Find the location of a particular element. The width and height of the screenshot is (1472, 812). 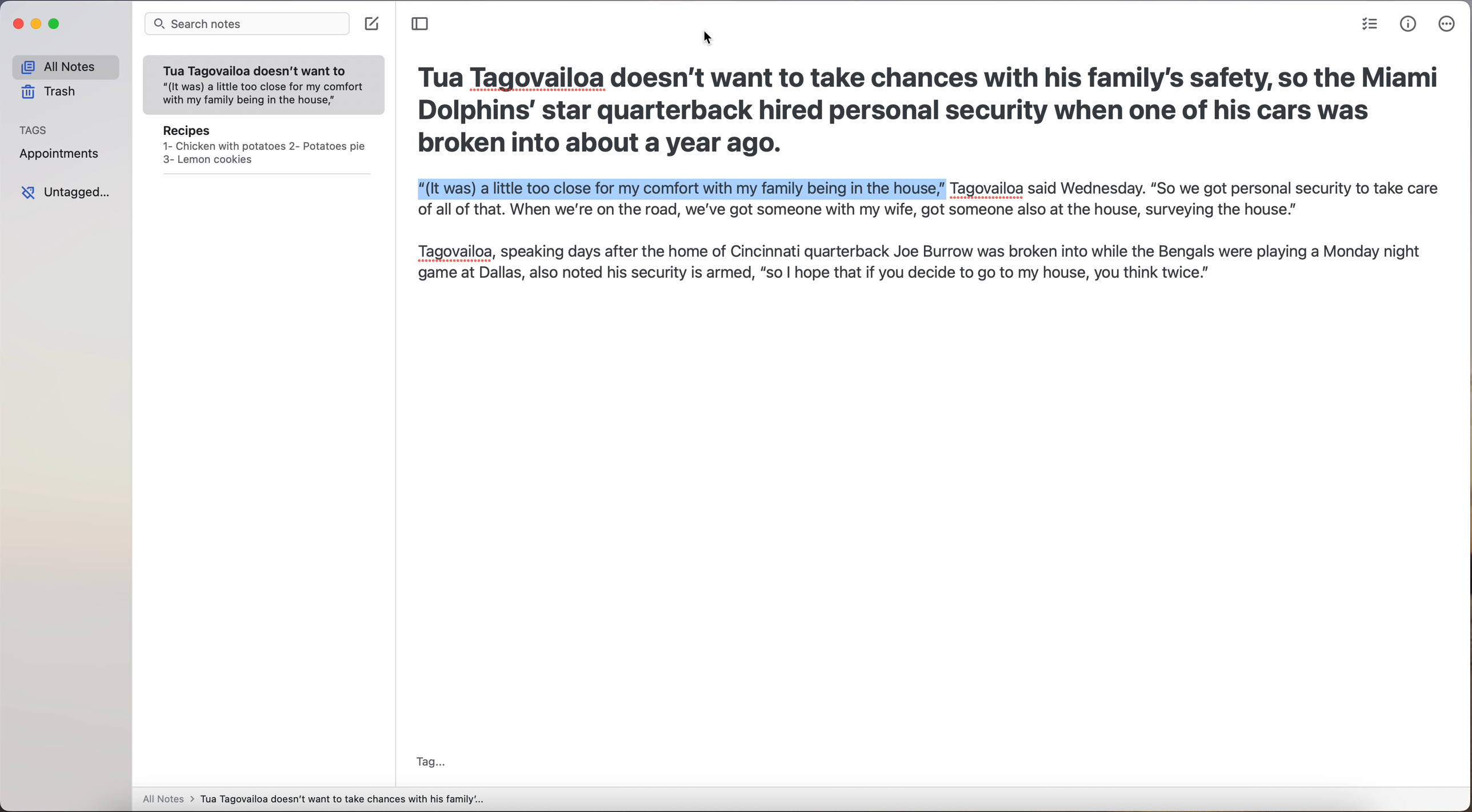

metrics is located at coordinates (1409, 25).